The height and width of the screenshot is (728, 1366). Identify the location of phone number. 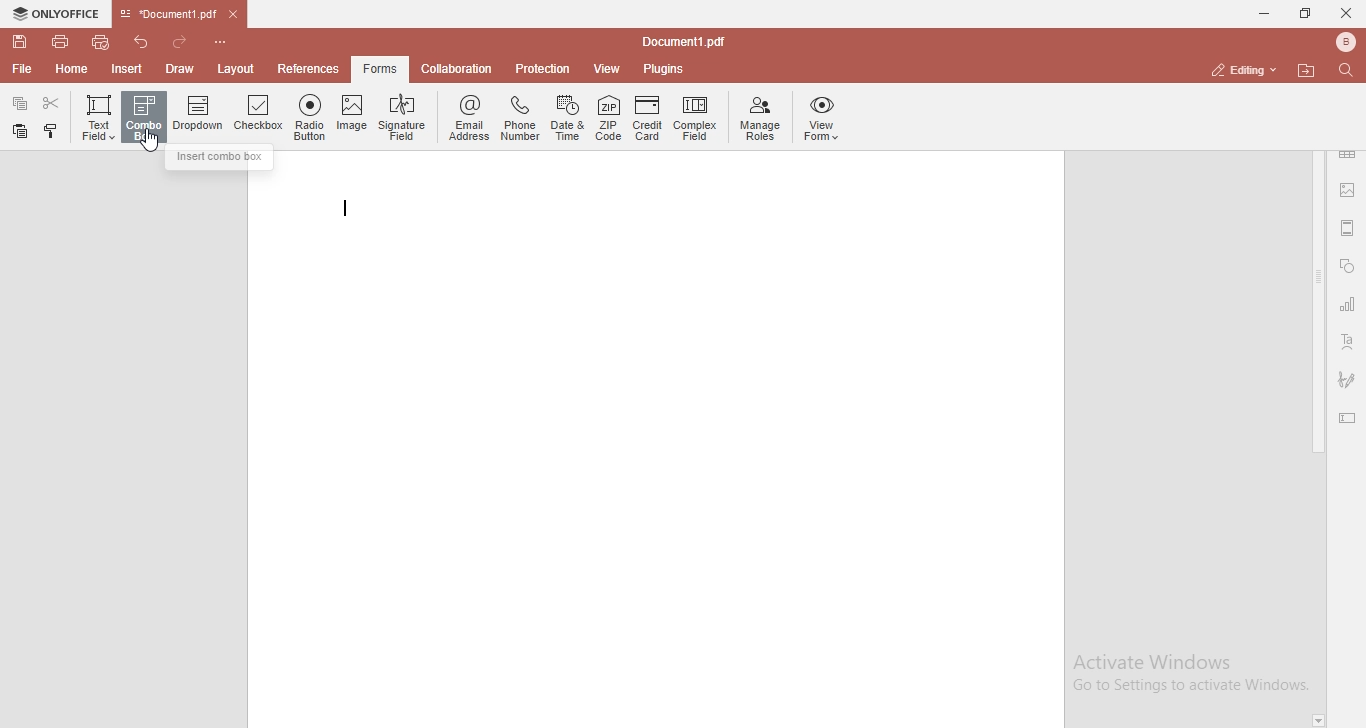
(520, 116).